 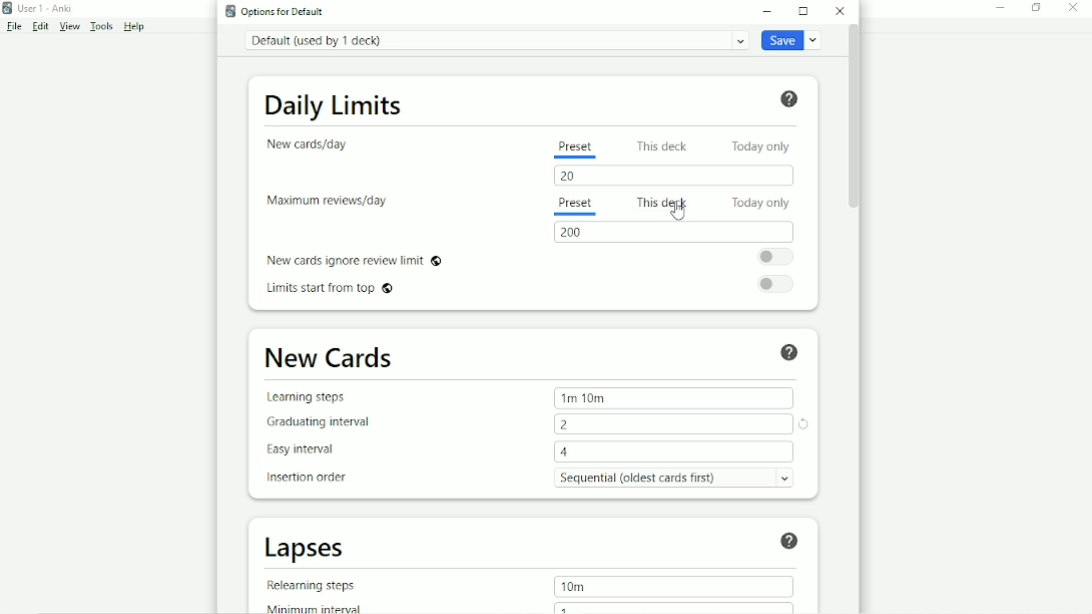 What do you see at coordinates (1035, 7) in the screenshot?
I see `Restore down` at bounding box center [1035, 7].